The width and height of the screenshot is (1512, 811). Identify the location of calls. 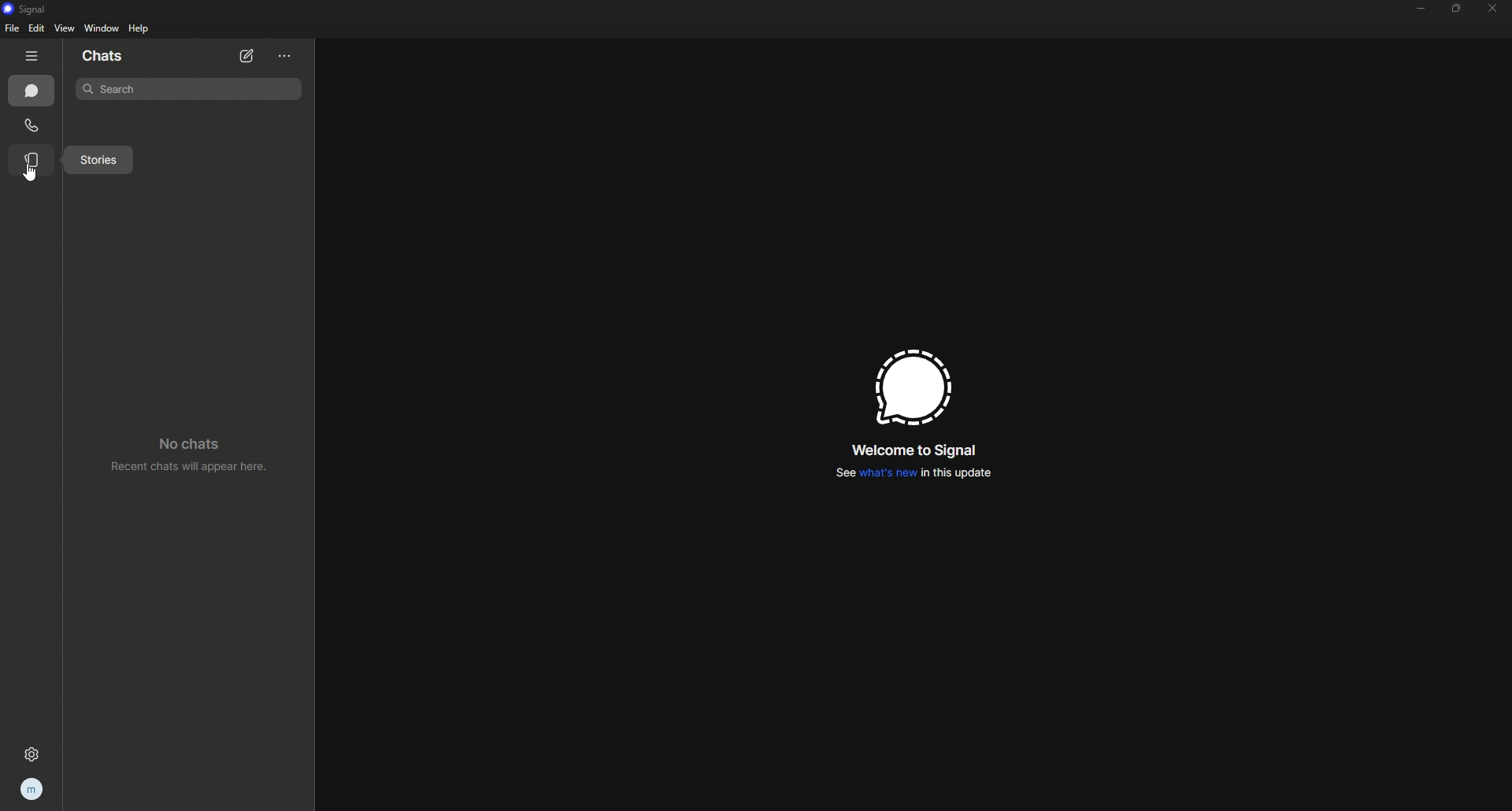
(32, 125).